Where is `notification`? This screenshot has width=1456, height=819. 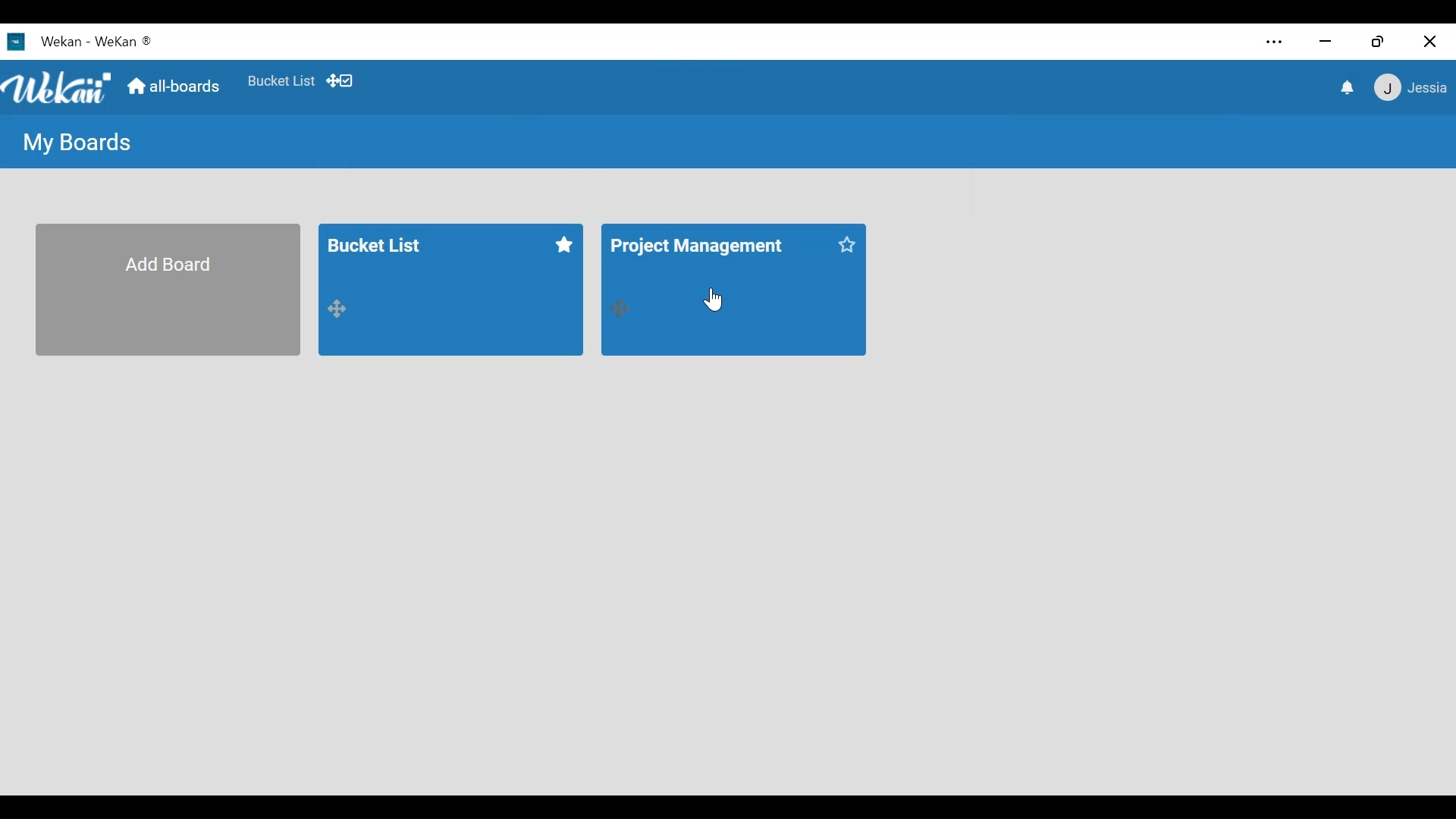 notification is located at coordinates (1346, 88).